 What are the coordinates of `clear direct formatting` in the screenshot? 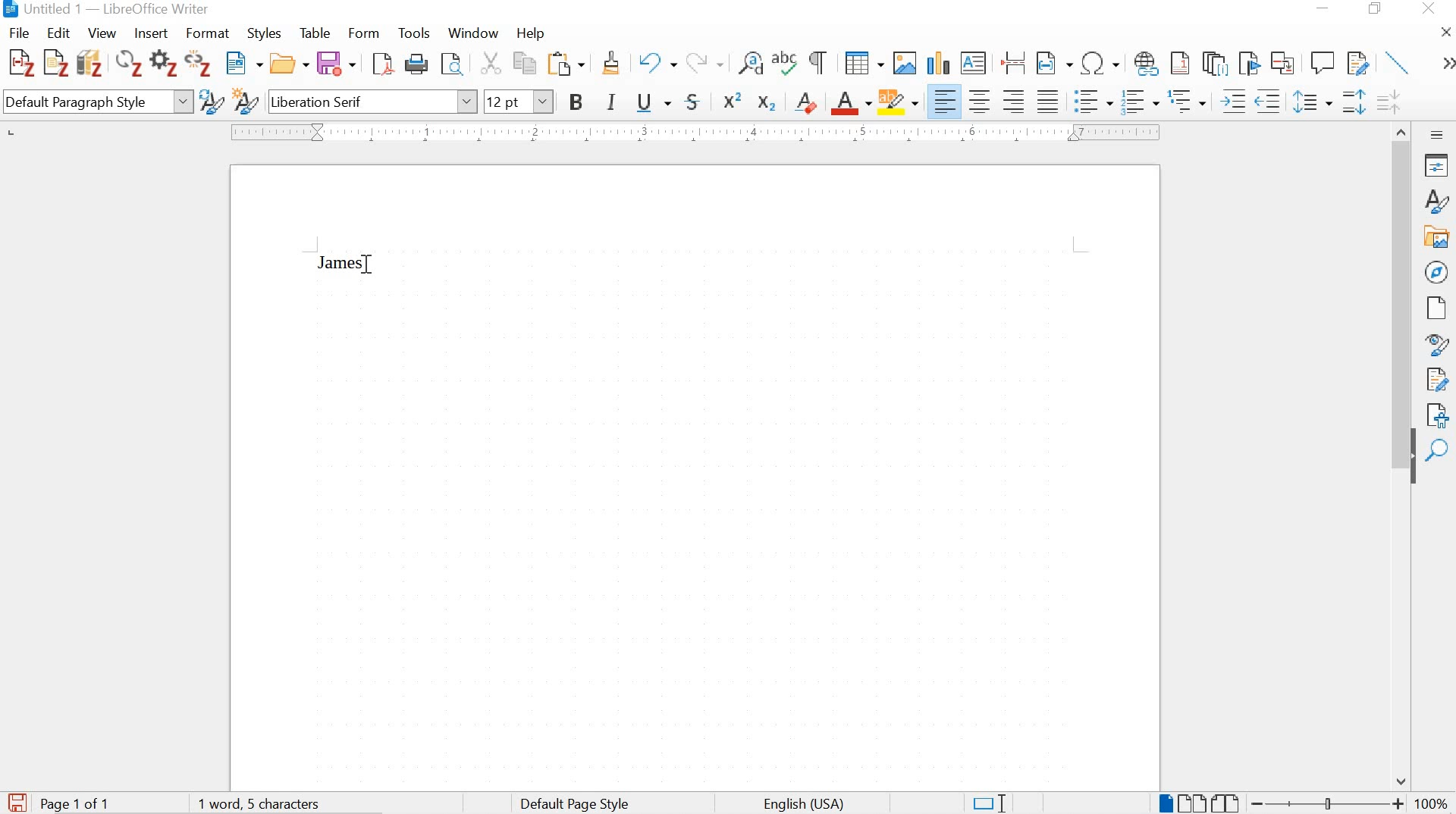 It's located at (807, 101).